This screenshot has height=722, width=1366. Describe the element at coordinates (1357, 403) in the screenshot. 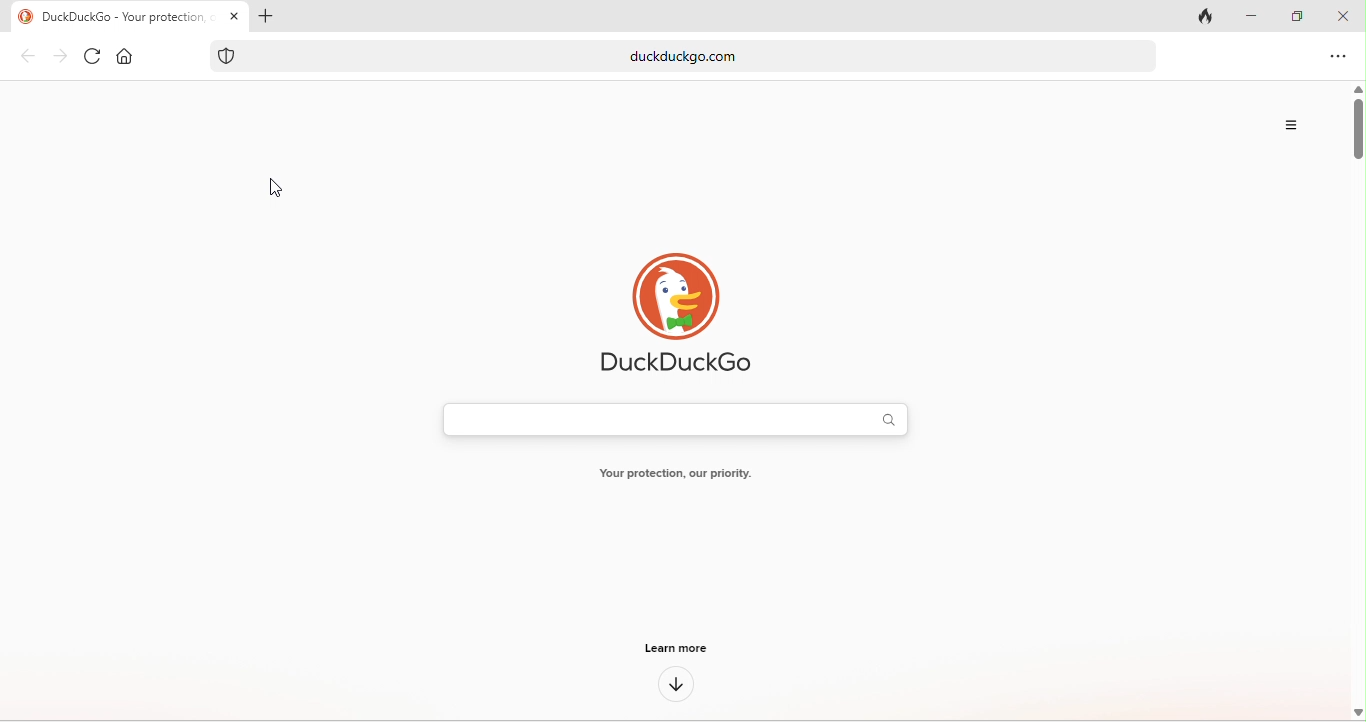

I see `vertical scroll bar` at that location.